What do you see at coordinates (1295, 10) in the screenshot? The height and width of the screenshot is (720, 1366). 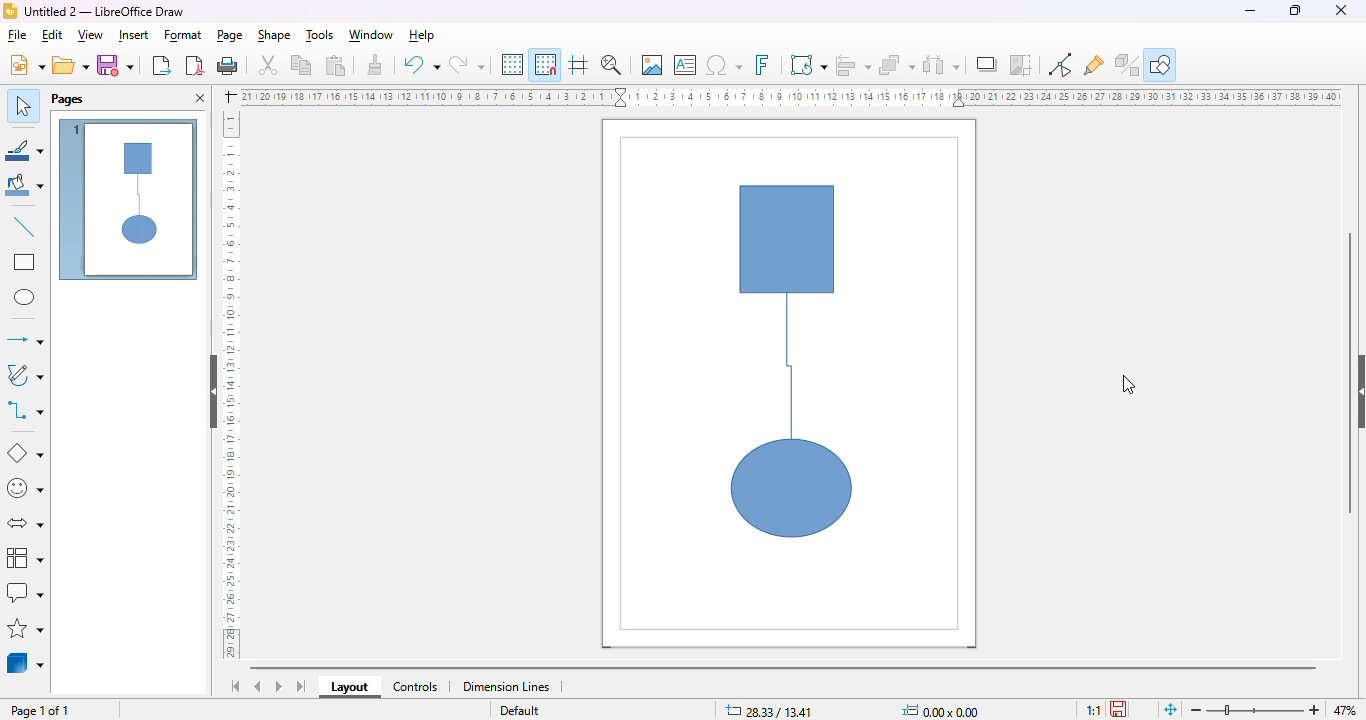 I see `maximize` at bounding box center [1295, 10].